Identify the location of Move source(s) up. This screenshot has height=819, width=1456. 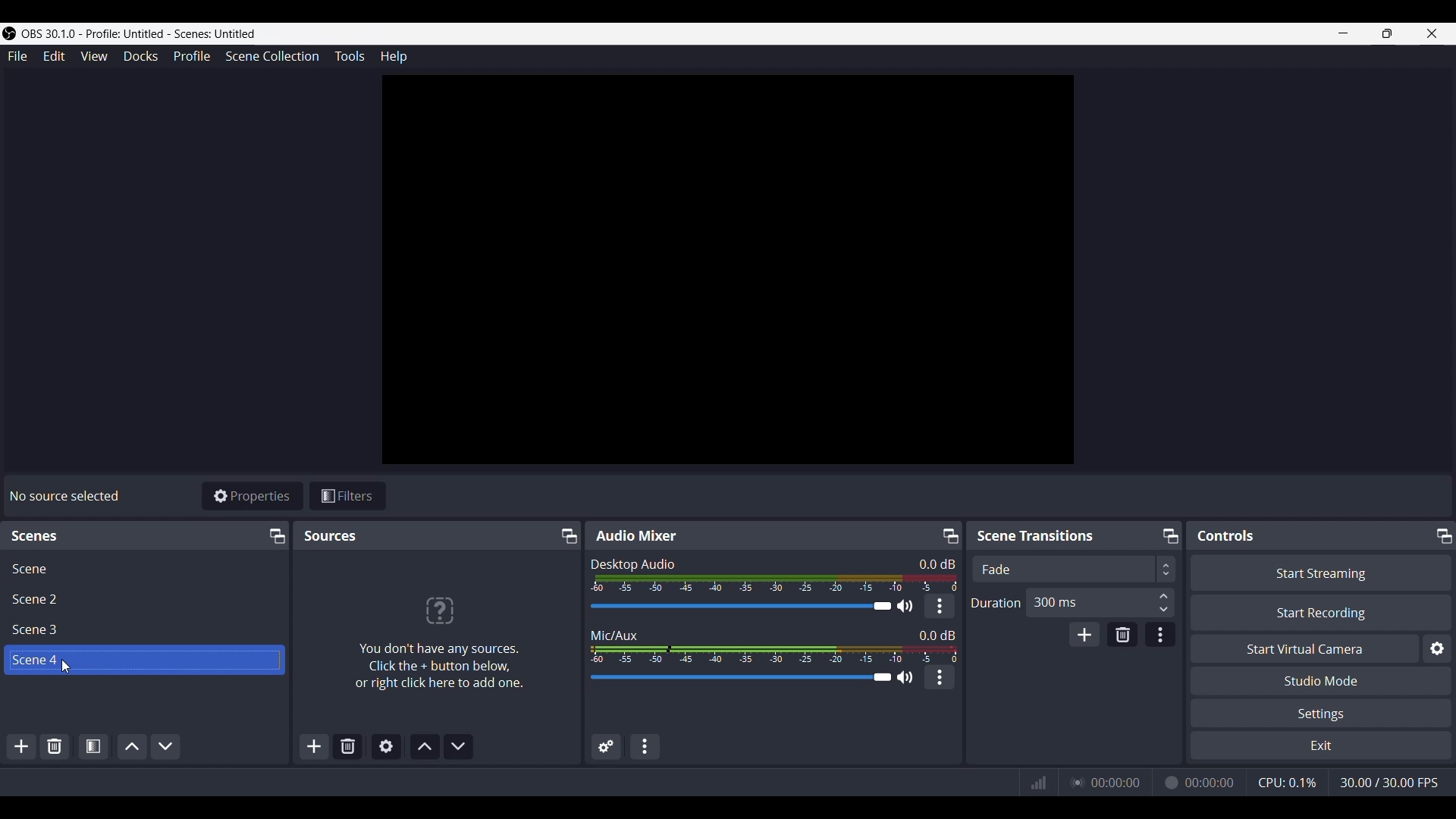
(425, 746).